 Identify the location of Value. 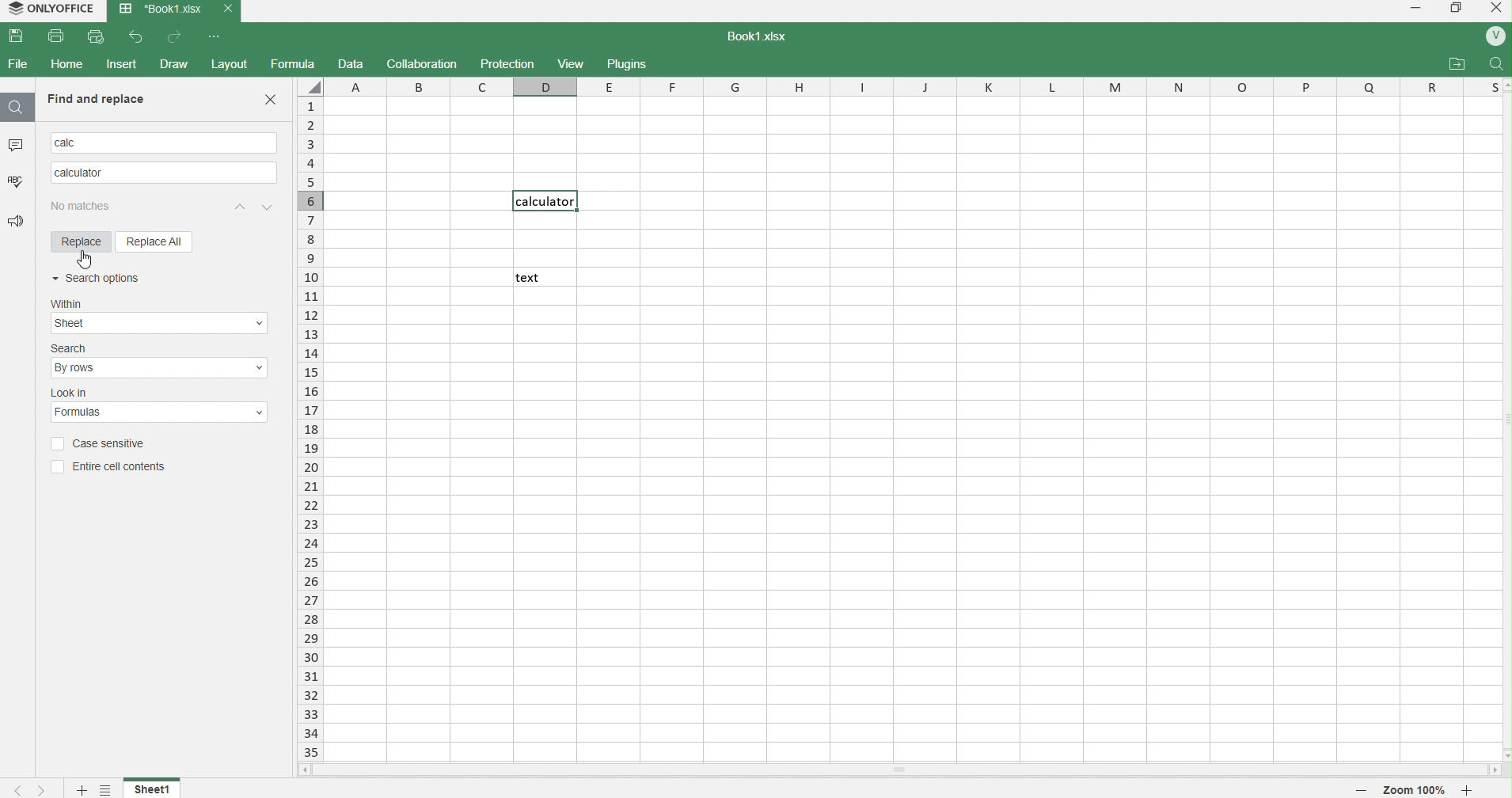
(181, 503).